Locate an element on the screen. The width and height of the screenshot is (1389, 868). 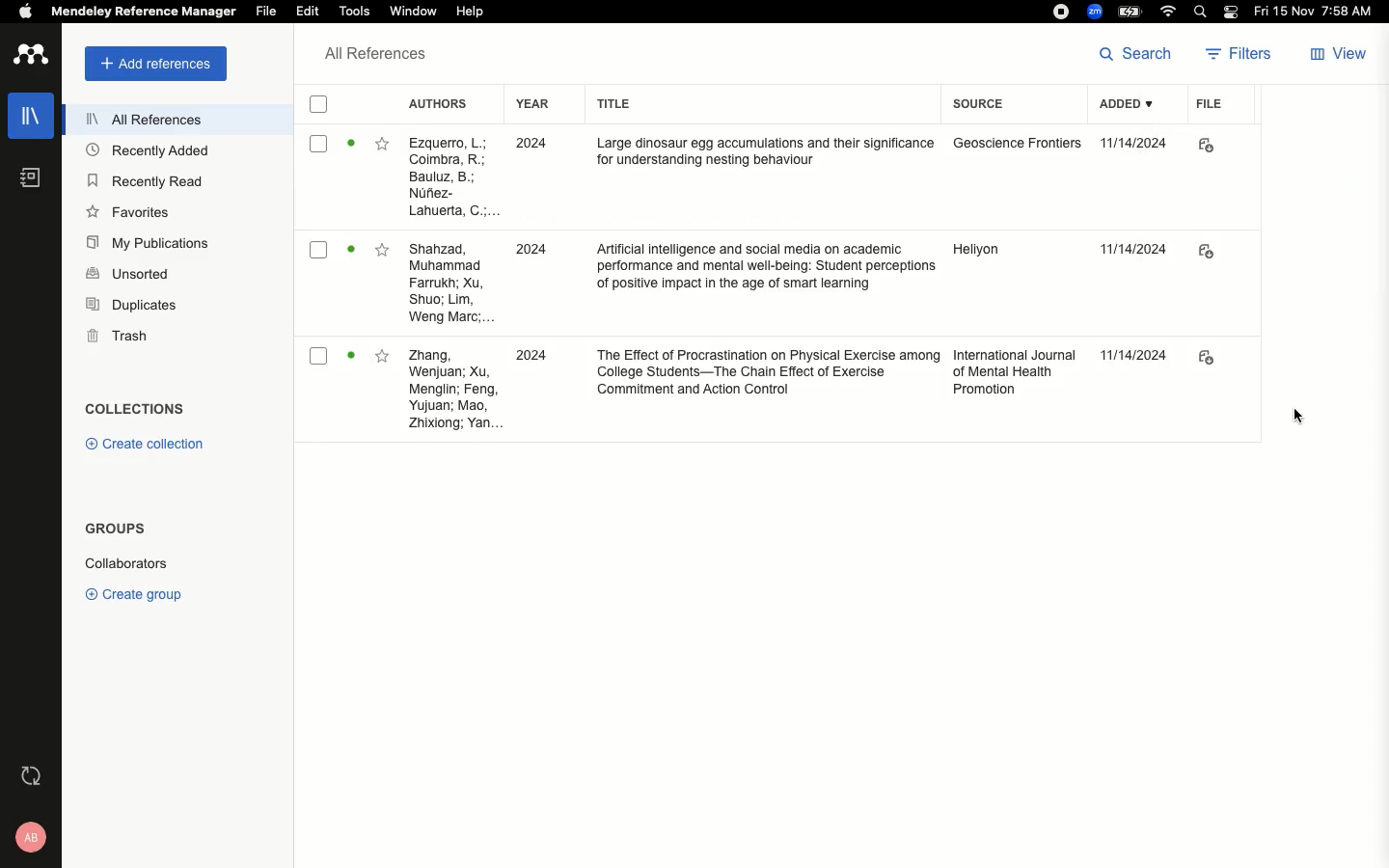
Filters is located at coordinates (1239, 53).